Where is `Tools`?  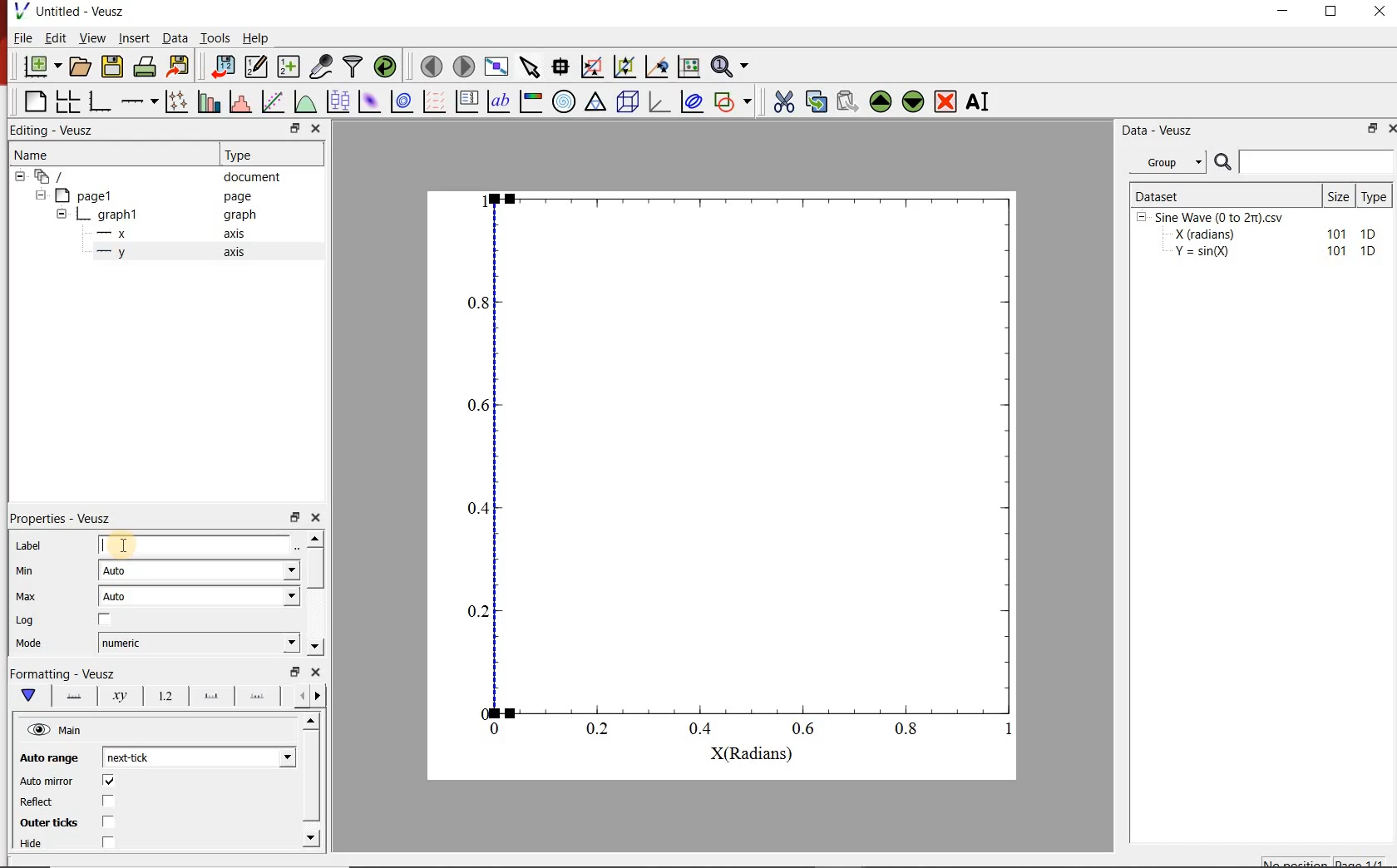
Tools is located at coordinates (215, 37).